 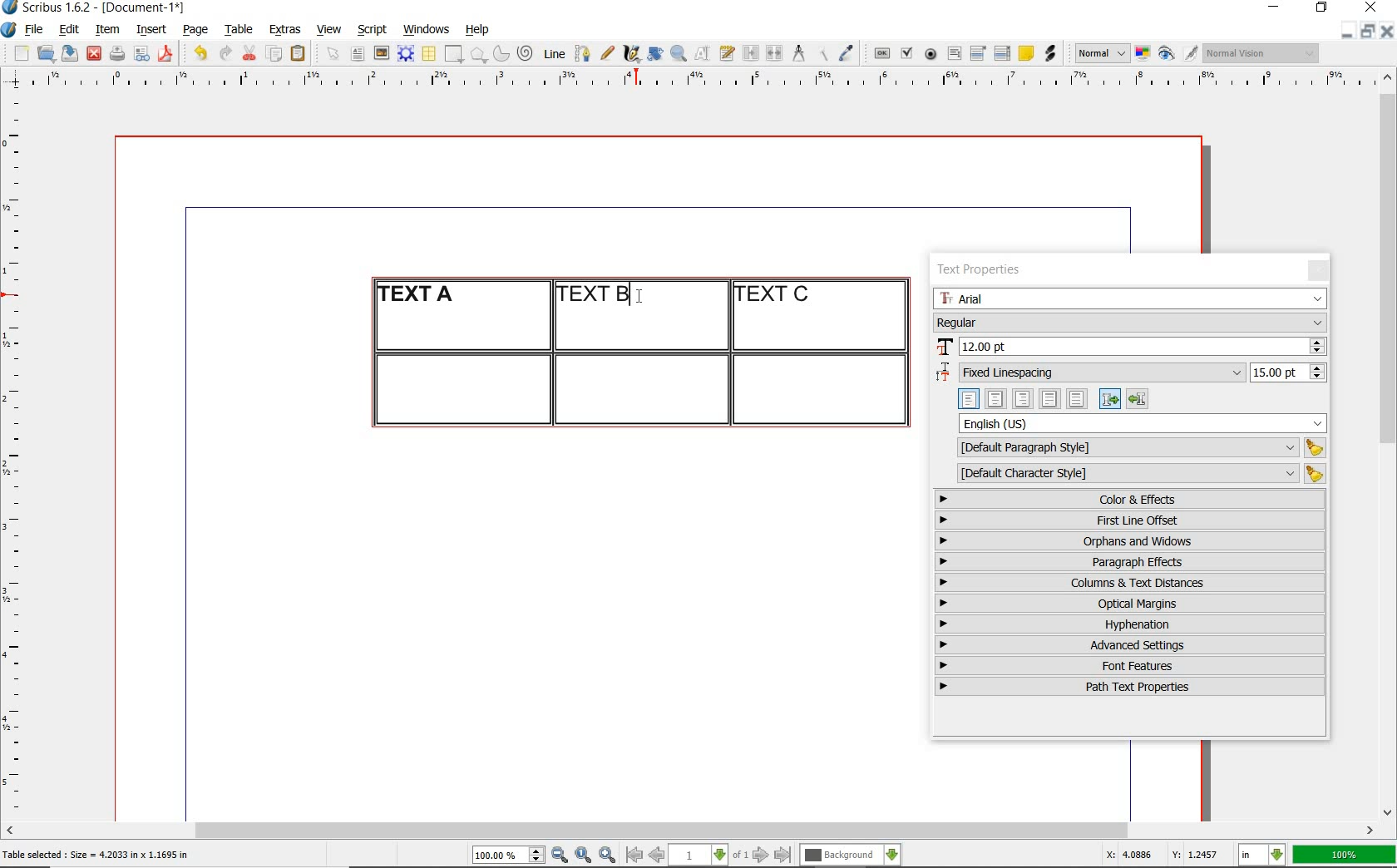 What do you see at coordinates (822, 53) in the screenshot?
I see `copy item properties` at bounding box center [822, 53].